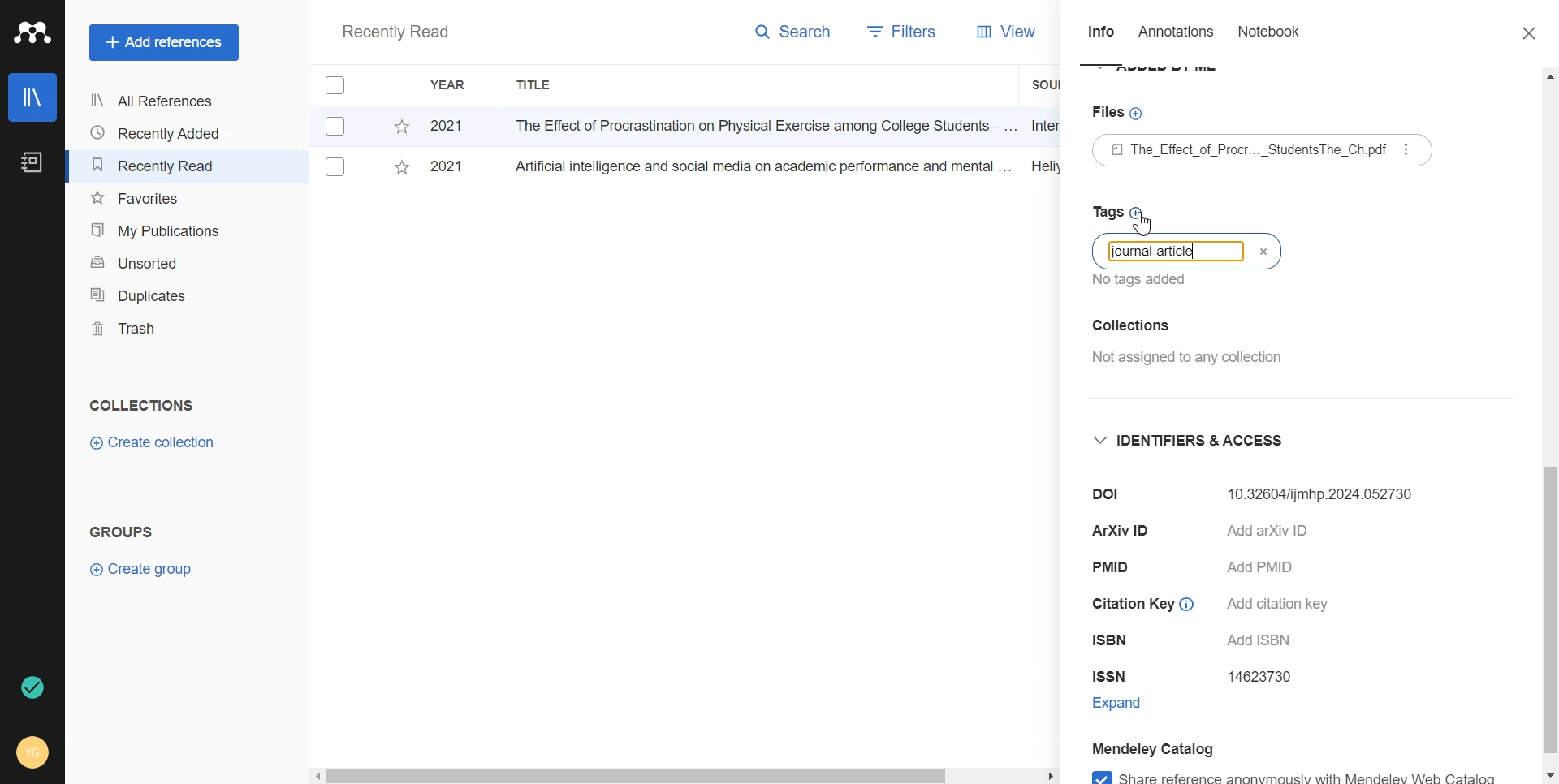 Image resolution: width=1559 pixels, height=784 pixels. I want to click on Horizontal scroll bar, so click(684, 774).